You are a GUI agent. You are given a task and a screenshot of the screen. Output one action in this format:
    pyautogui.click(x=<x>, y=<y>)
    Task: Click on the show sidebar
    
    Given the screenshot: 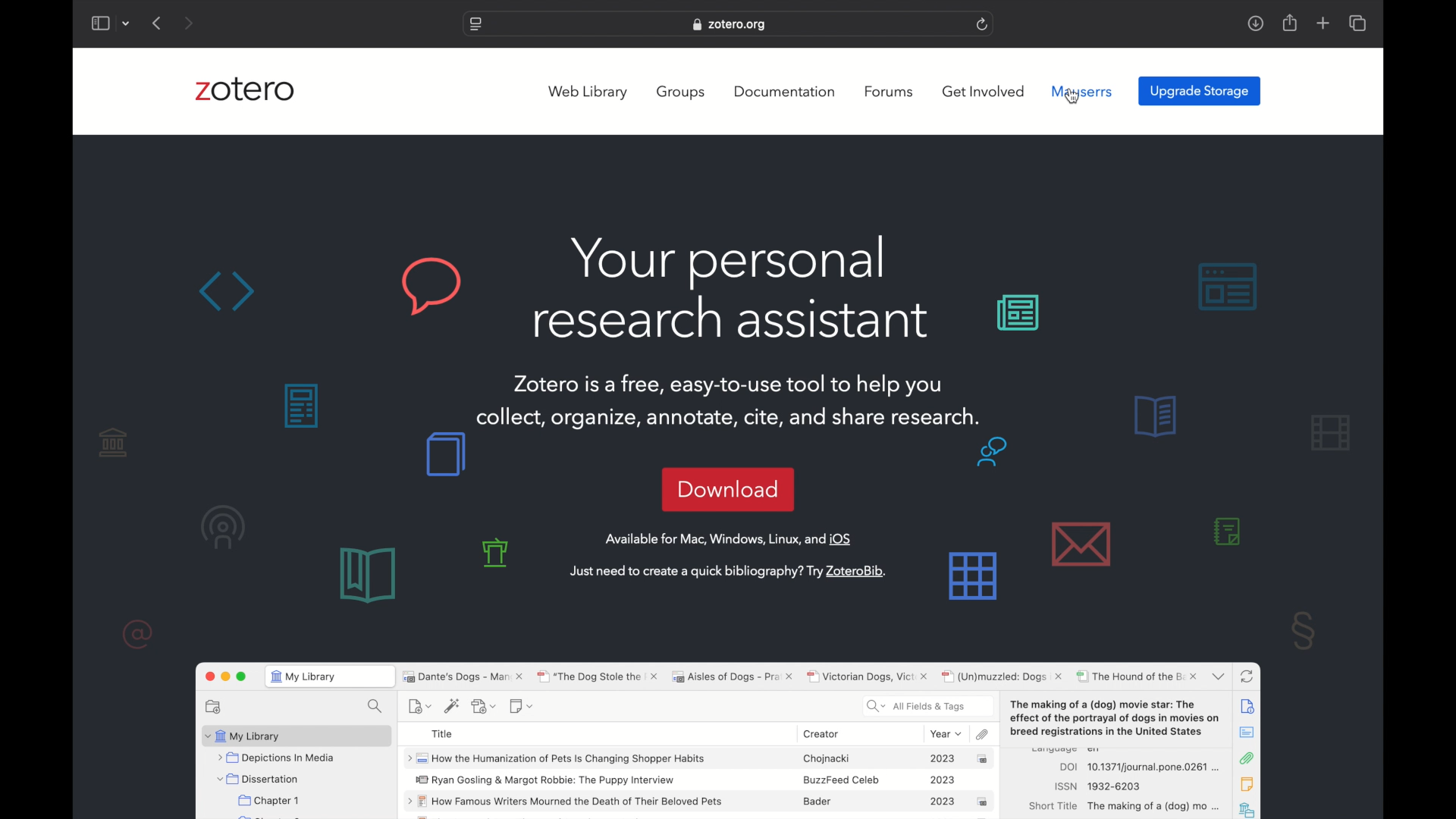 What is the action you would take?
    pyautogui.click(x=99, y=23)
    